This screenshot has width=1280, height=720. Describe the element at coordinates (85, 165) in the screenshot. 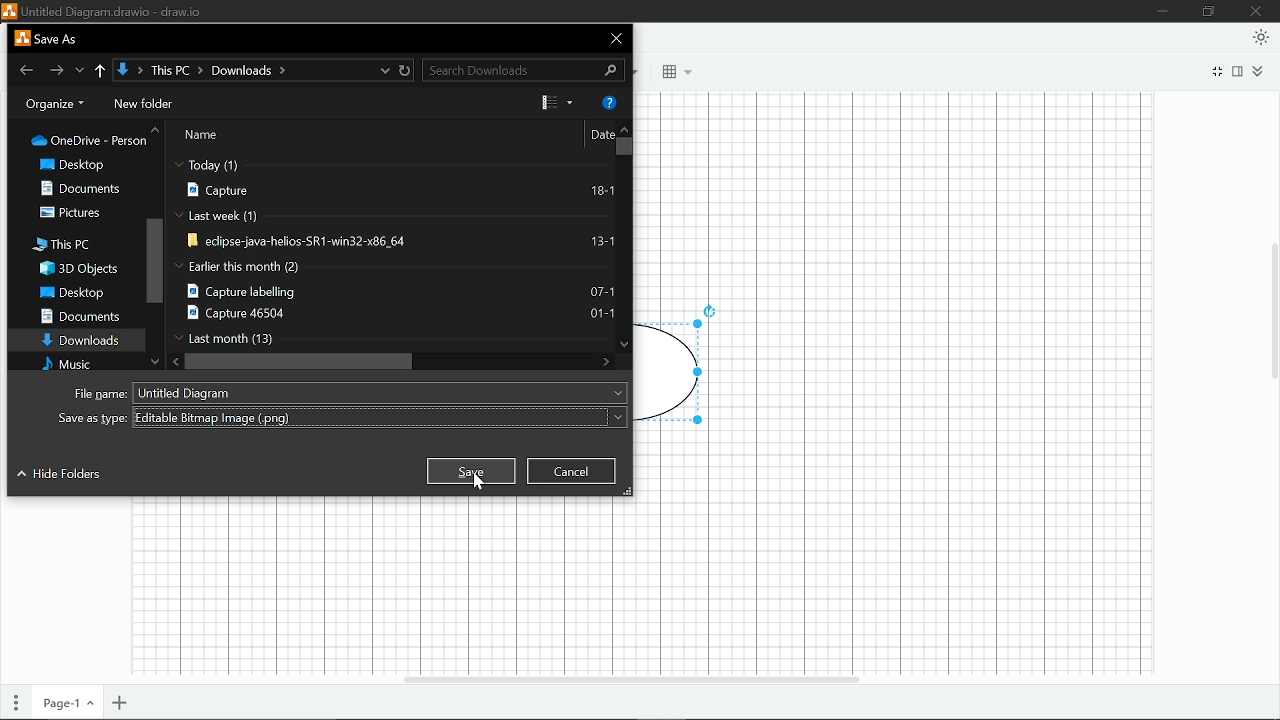

I see `Desktop` at that location.